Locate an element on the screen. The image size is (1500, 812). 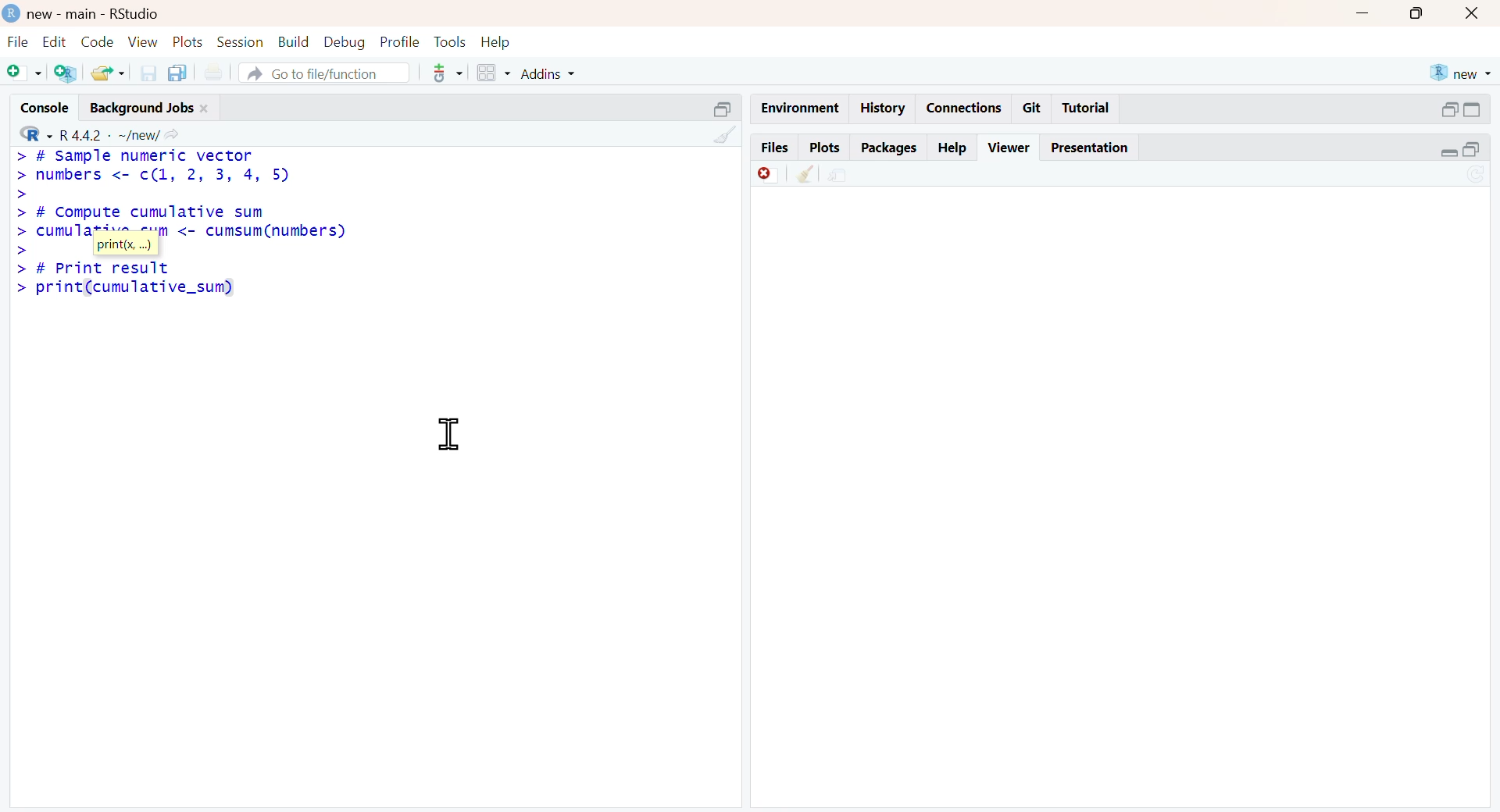
Connections is located at coordinates (967, 109).